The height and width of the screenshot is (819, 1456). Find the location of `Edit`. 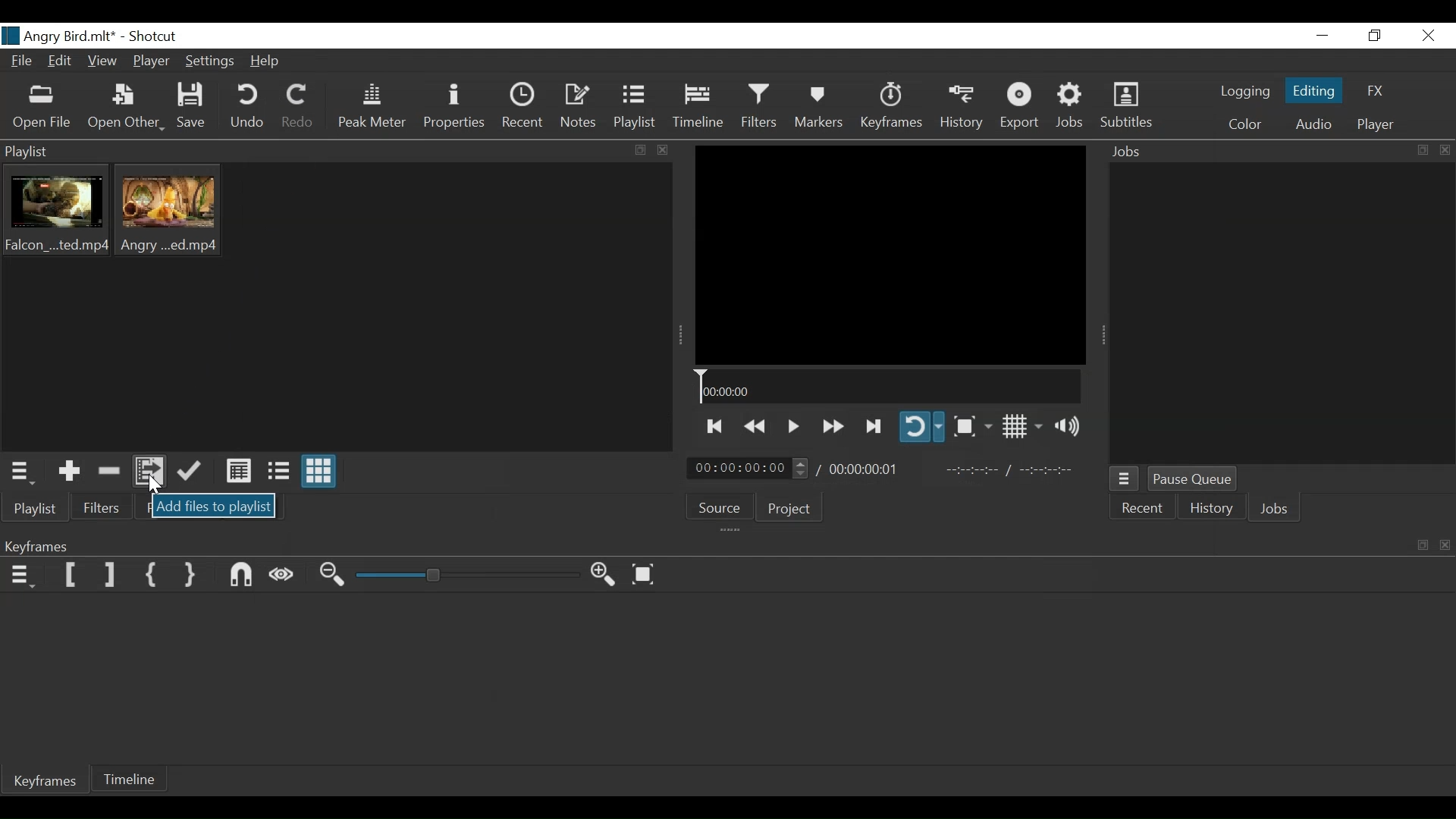

Edit is located at coordinates (62, 63).